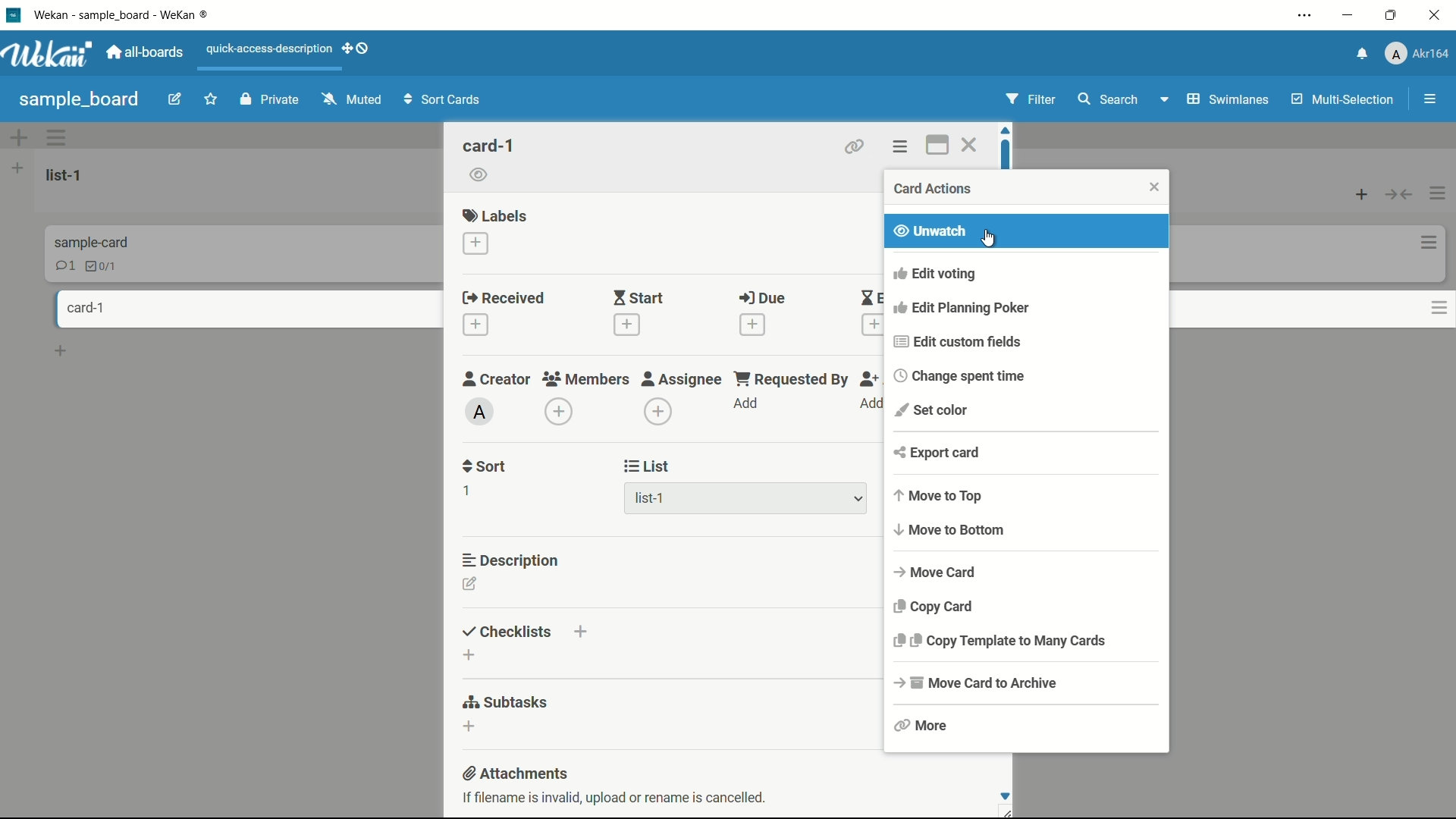 The height and width of the screenshot is (819, 1456). I want to click on multi-selection, so click(1338, 99).